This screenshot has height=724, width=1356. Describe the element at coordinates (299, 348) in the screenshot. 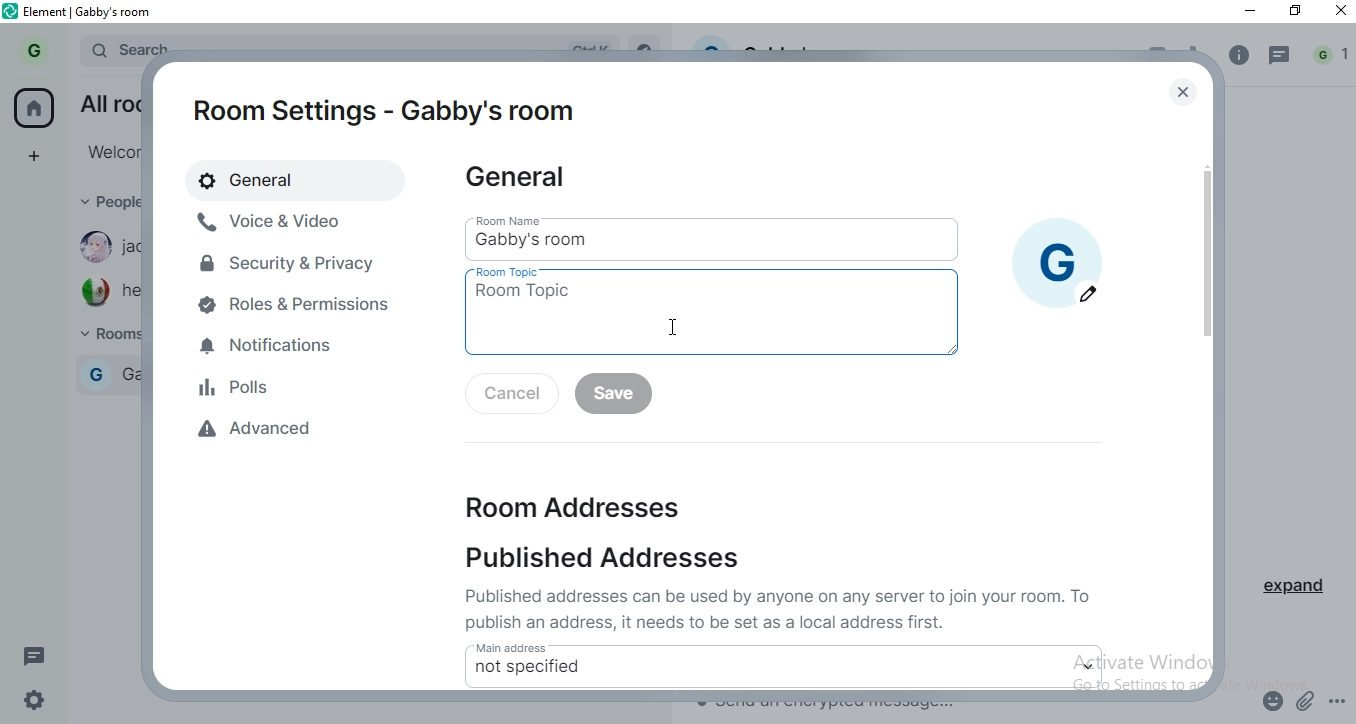

I see `notifications` at that location.